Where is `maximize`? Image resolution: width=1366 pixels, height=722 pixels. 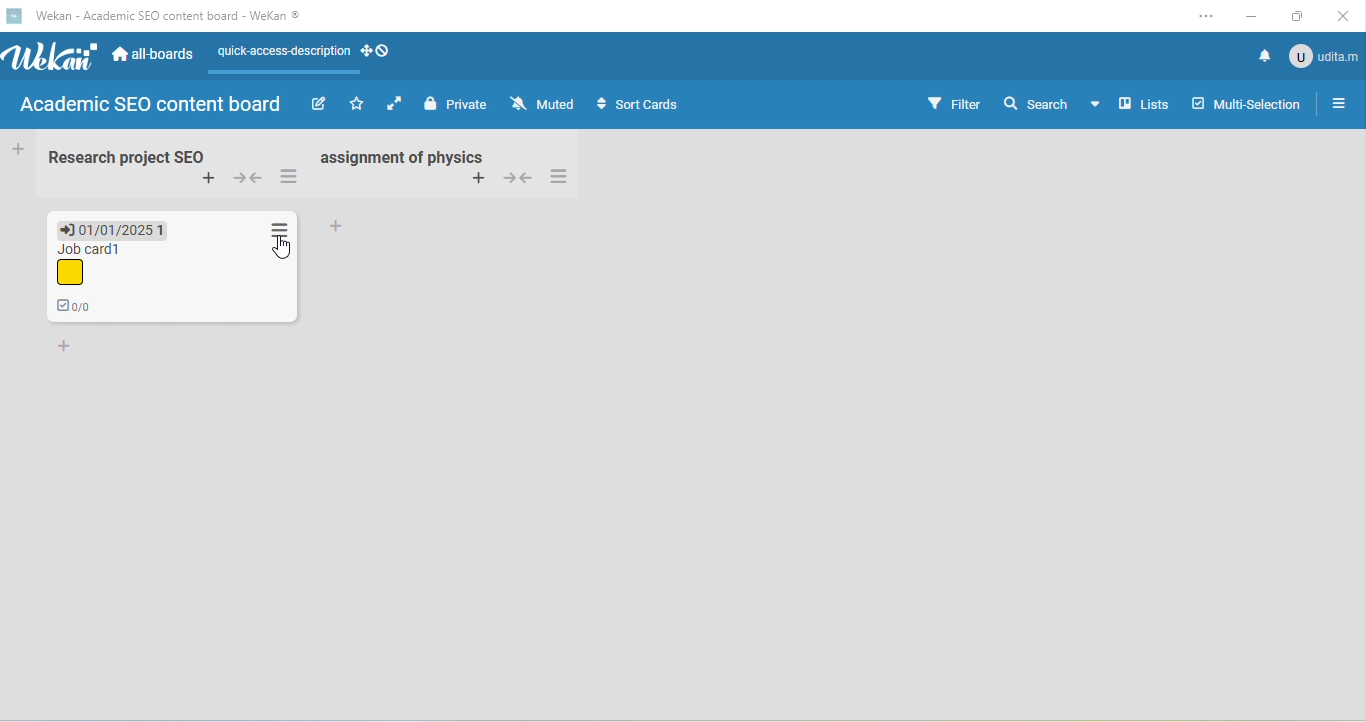 maximize is located at coordinates (1299, 16).